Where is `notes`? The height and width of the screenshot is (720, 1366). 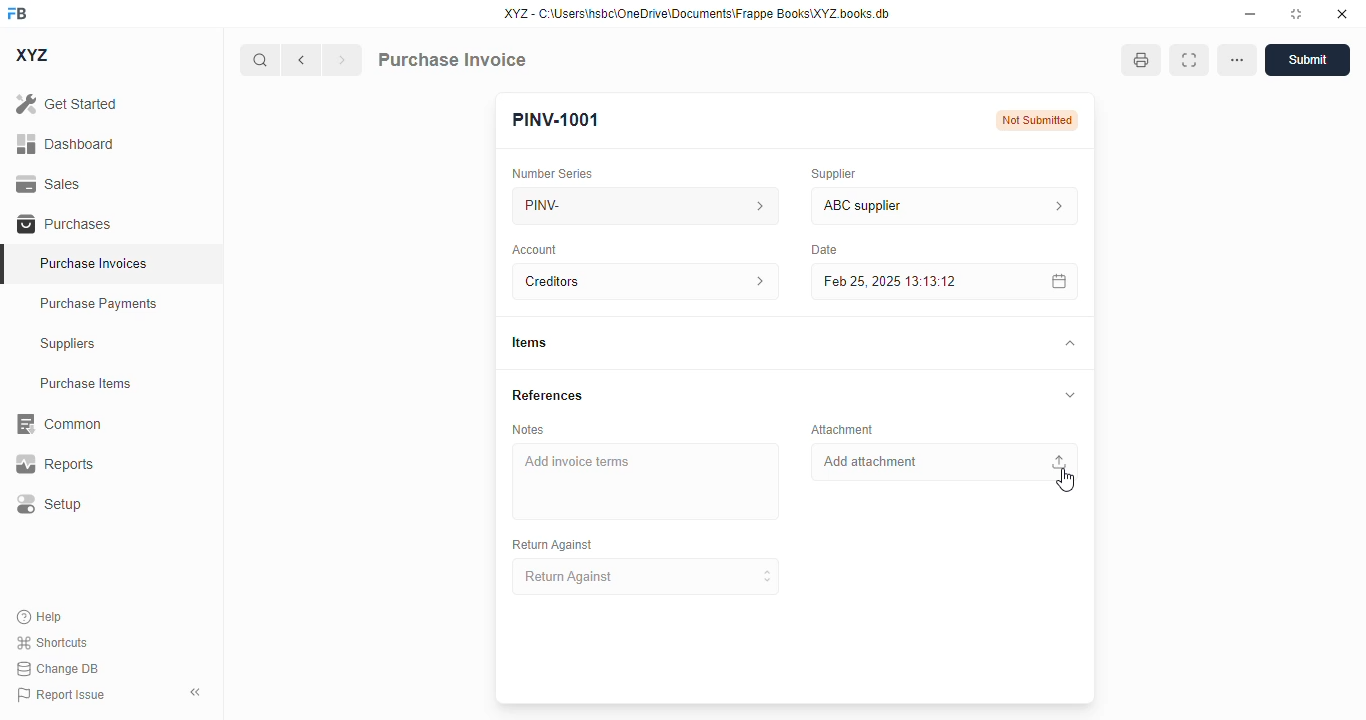
notes is located at coordinates (528, 429).